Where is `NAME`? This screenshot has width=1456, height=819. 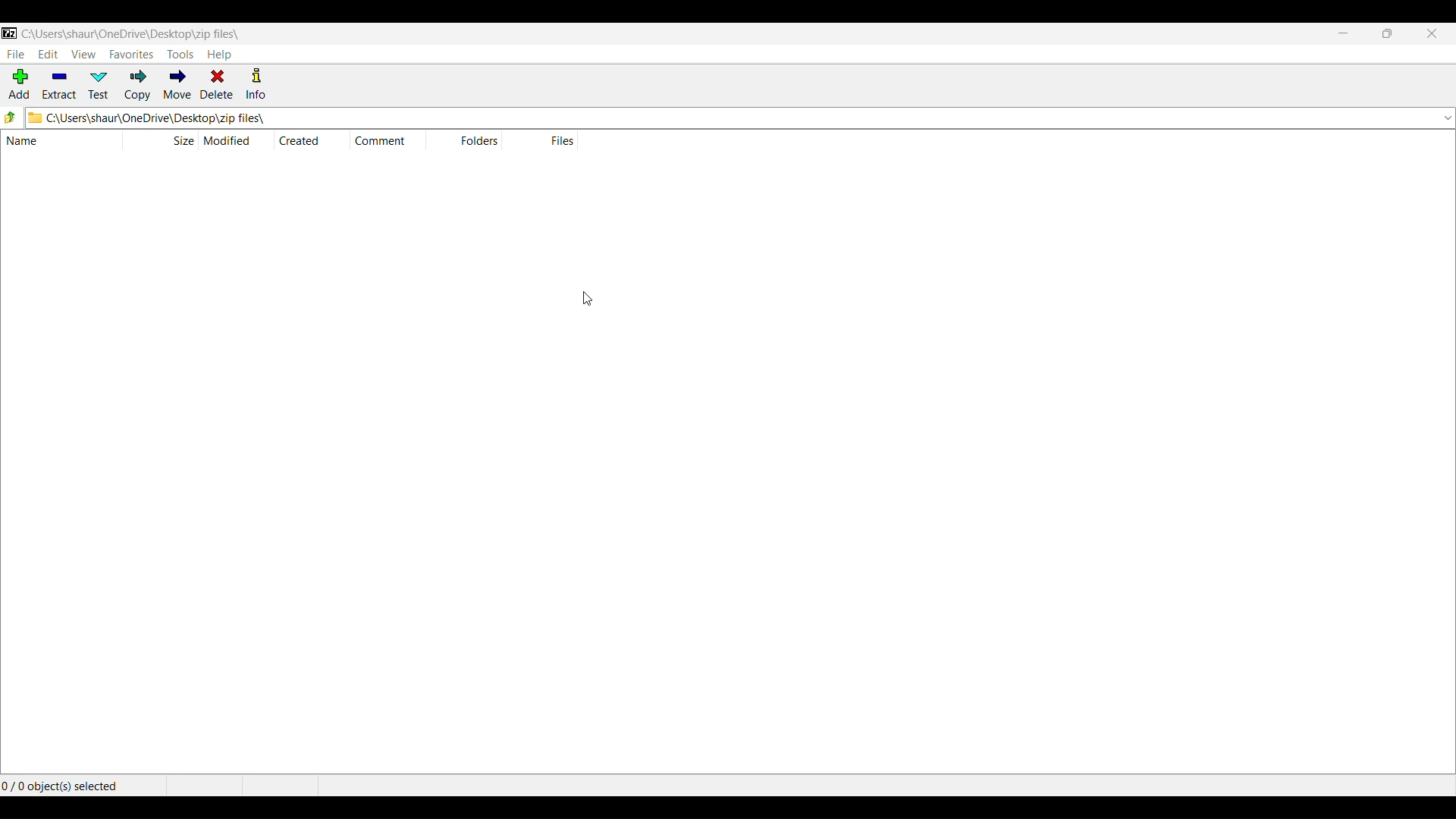
NAME is located at coordinates (52, 142).